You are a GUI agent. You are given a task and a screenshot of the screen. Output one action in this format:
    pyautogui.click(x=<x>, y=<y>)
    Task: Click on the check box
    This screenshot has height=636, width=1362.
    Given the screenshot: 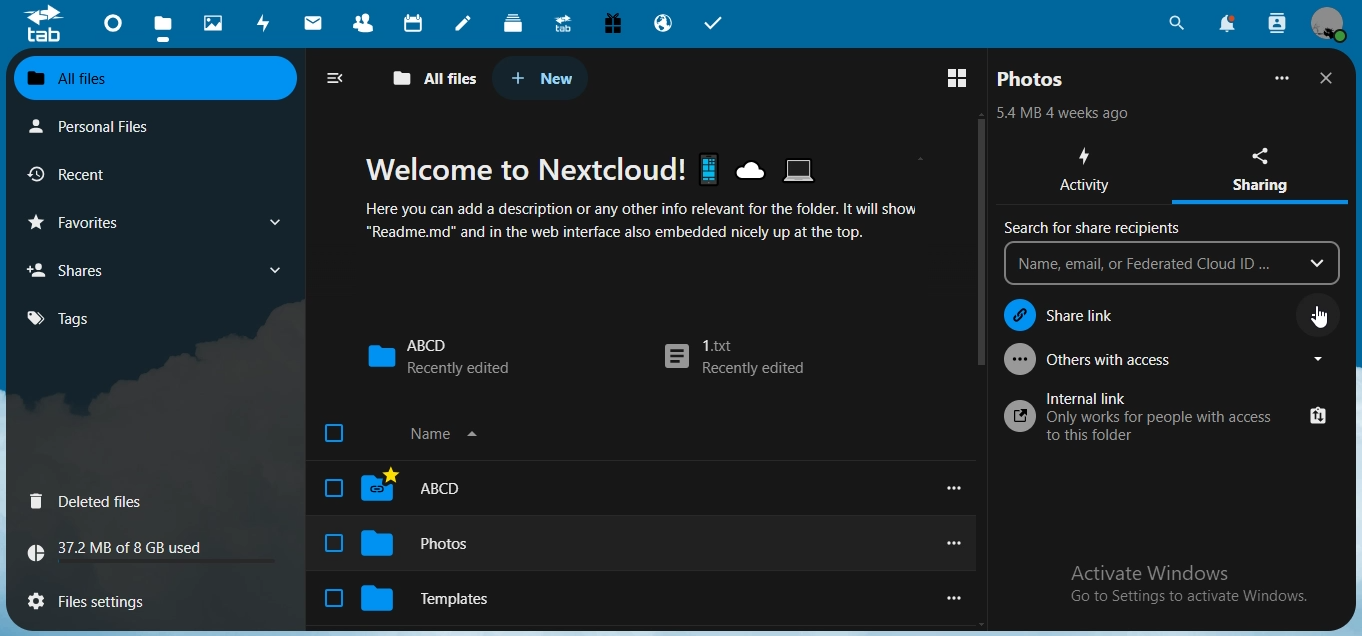 What is the action you would take?
    pyautogui.click(x=334, y=488)
    